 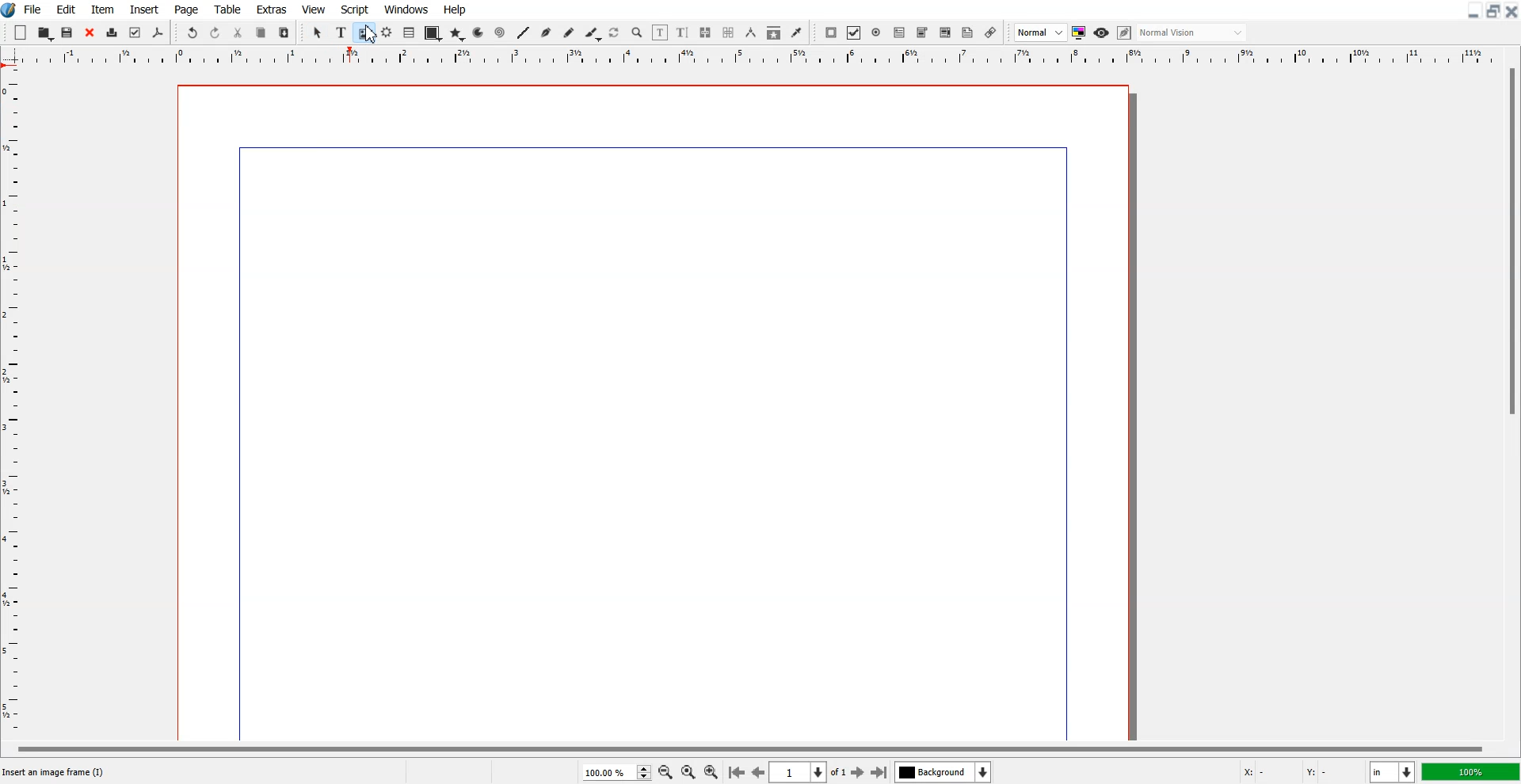 What do you see at coordinates (215, 32) in the screenshot?
I see `Redo` at bounding box center [215, 32].